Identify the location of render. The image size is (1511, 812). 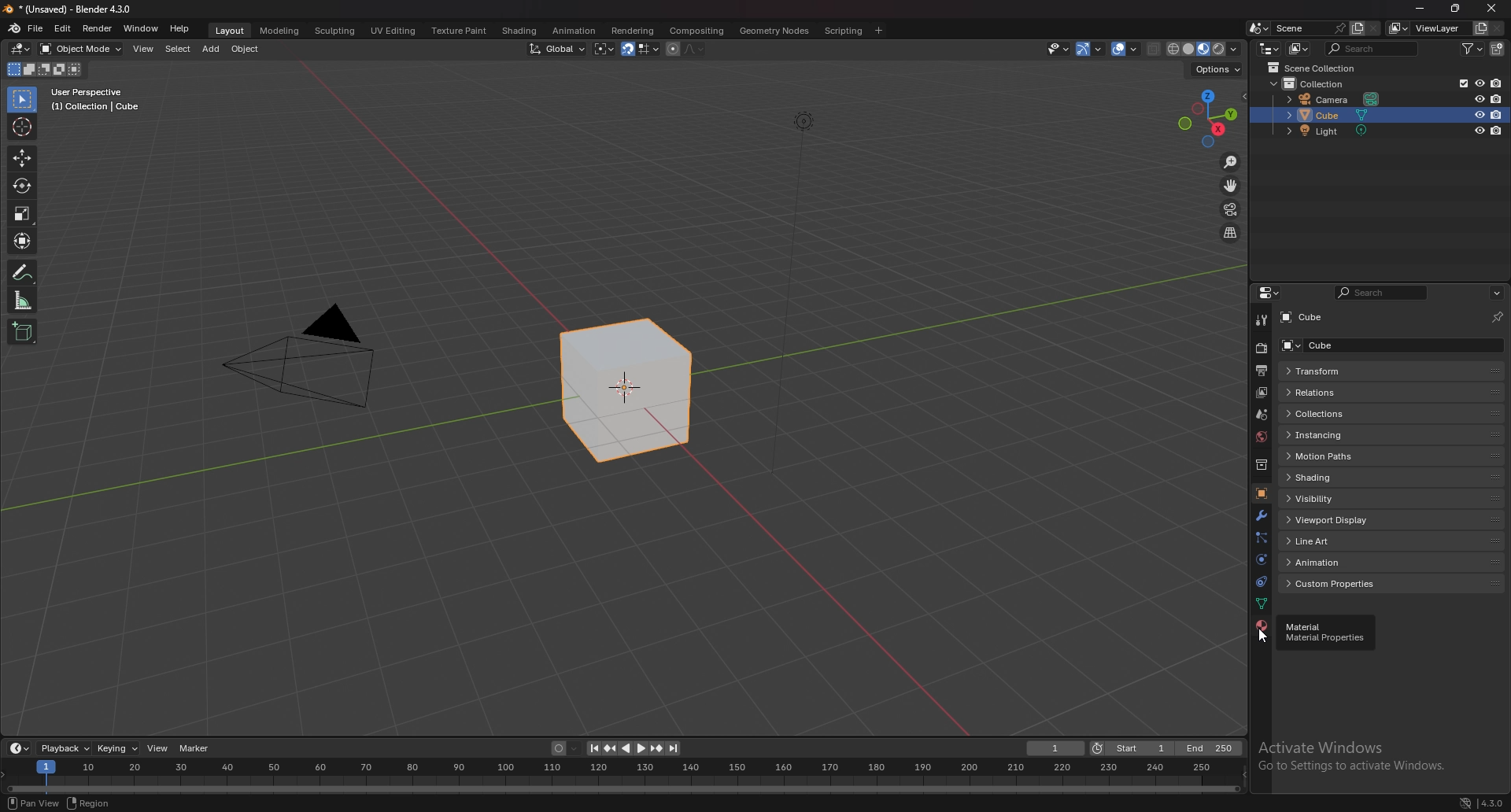
(1263, 348).